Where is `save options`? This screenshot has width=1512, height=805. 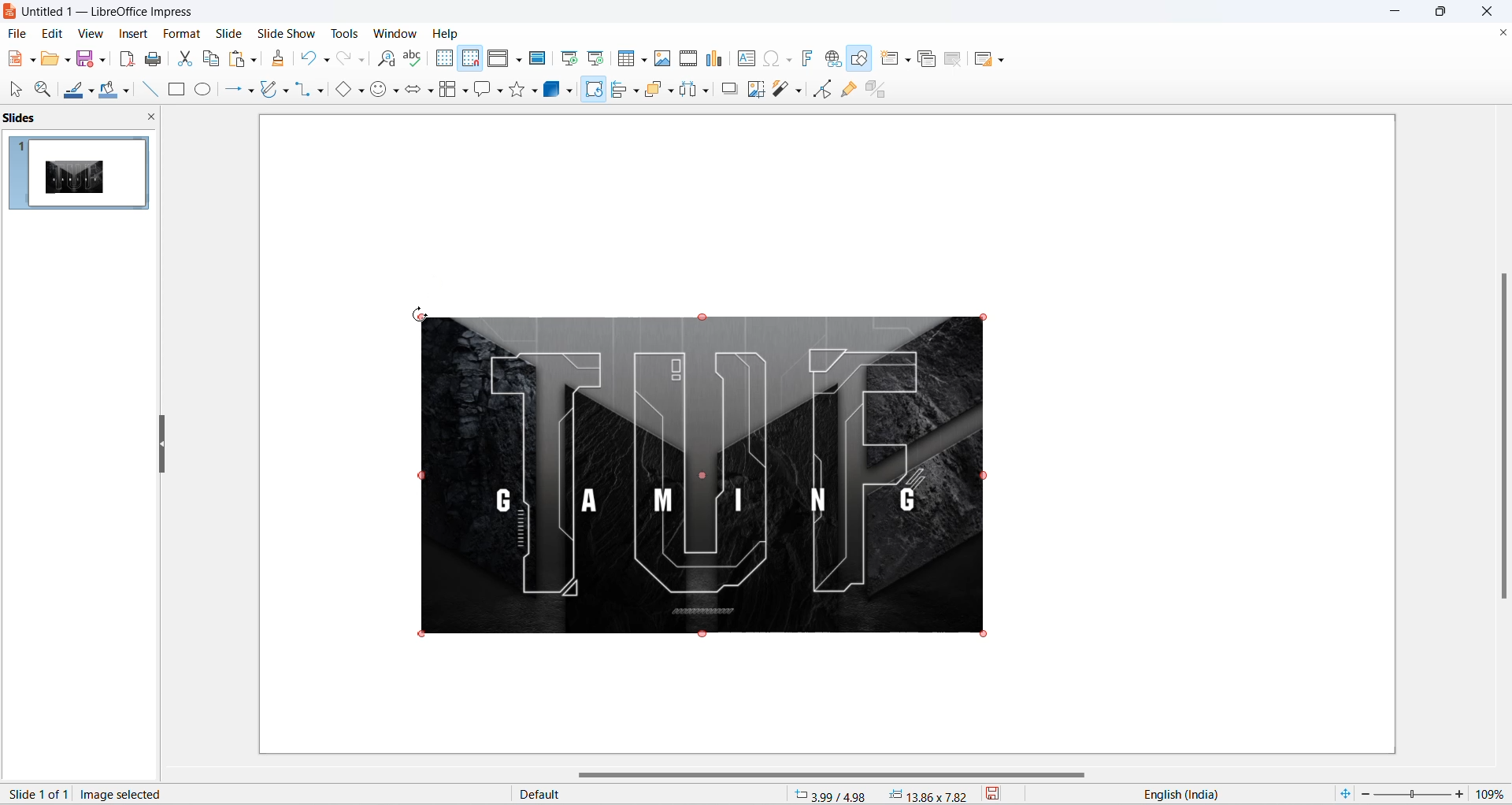
save options is located at coordinates (103, 58).